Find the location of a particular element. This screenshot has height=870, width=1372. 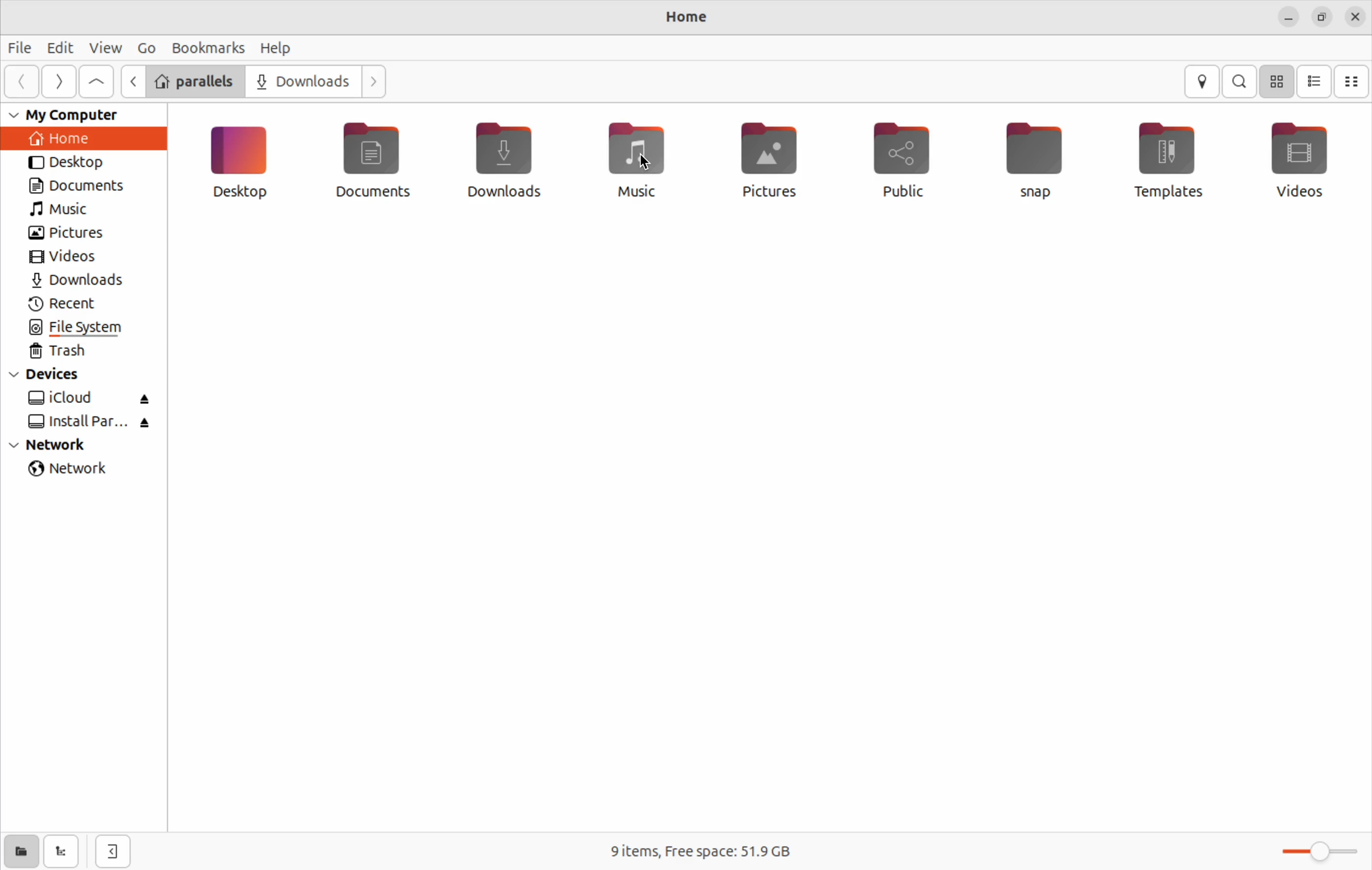

i cloud is located at coordinates (91, 399).